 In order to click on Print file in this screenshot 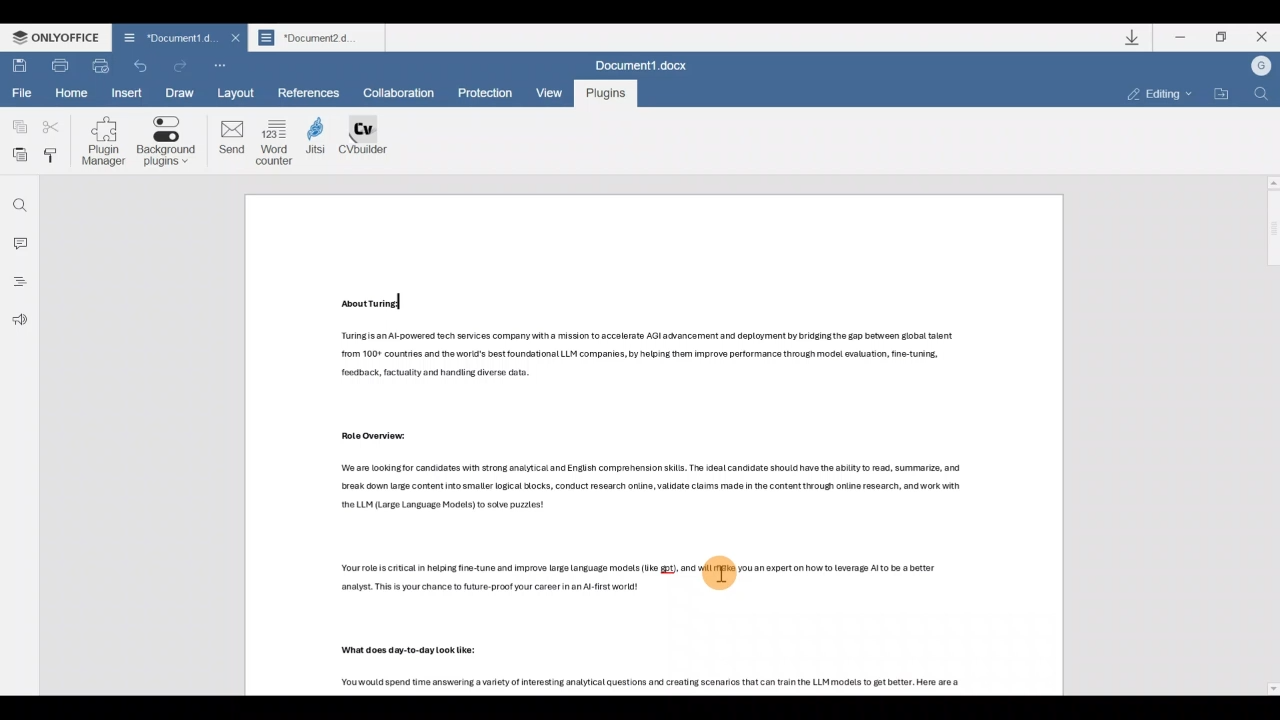, I will do `click(59, 65)`.